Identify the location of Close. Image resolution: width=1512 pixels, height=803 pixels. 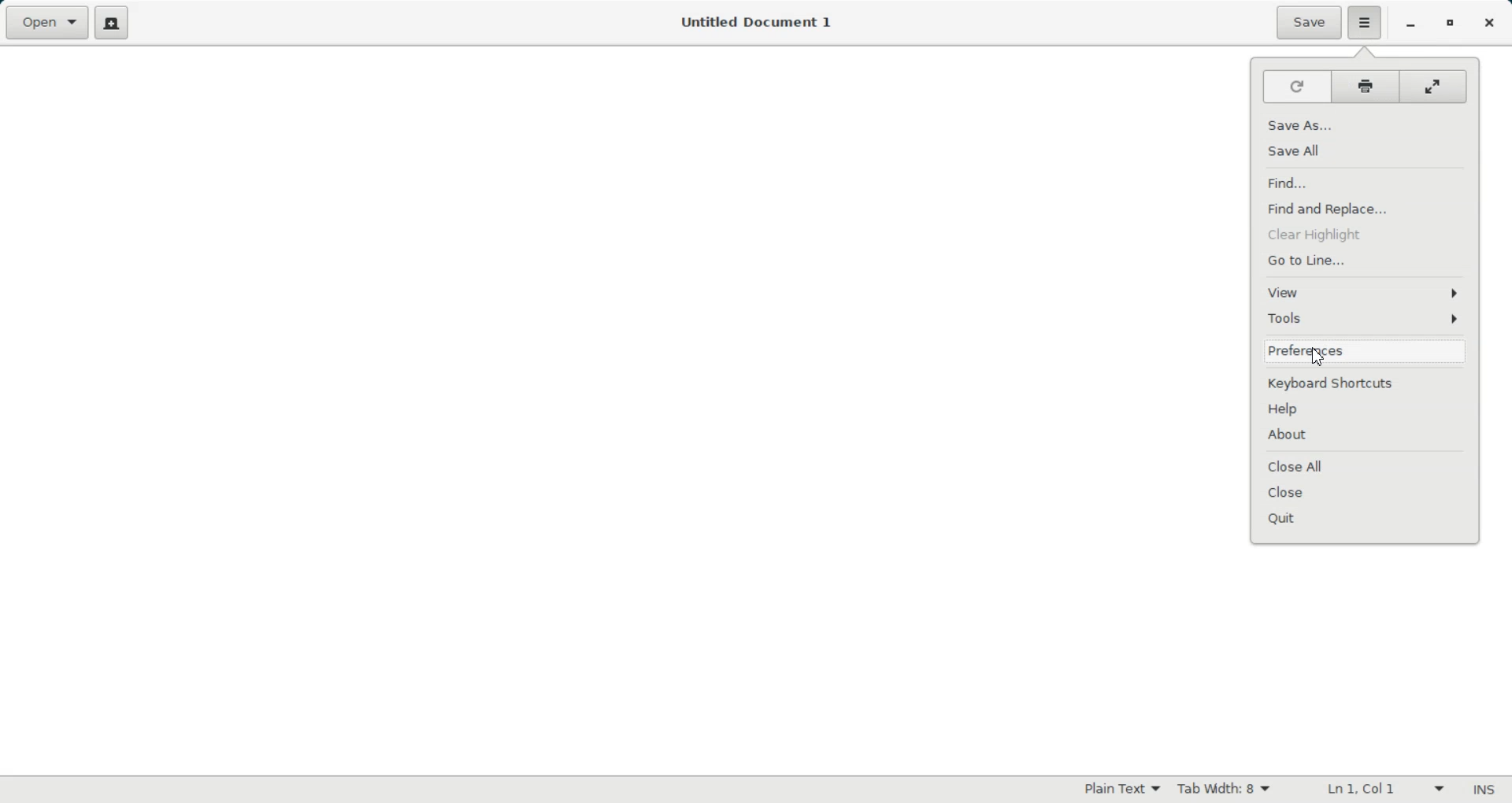
(1365, 494).